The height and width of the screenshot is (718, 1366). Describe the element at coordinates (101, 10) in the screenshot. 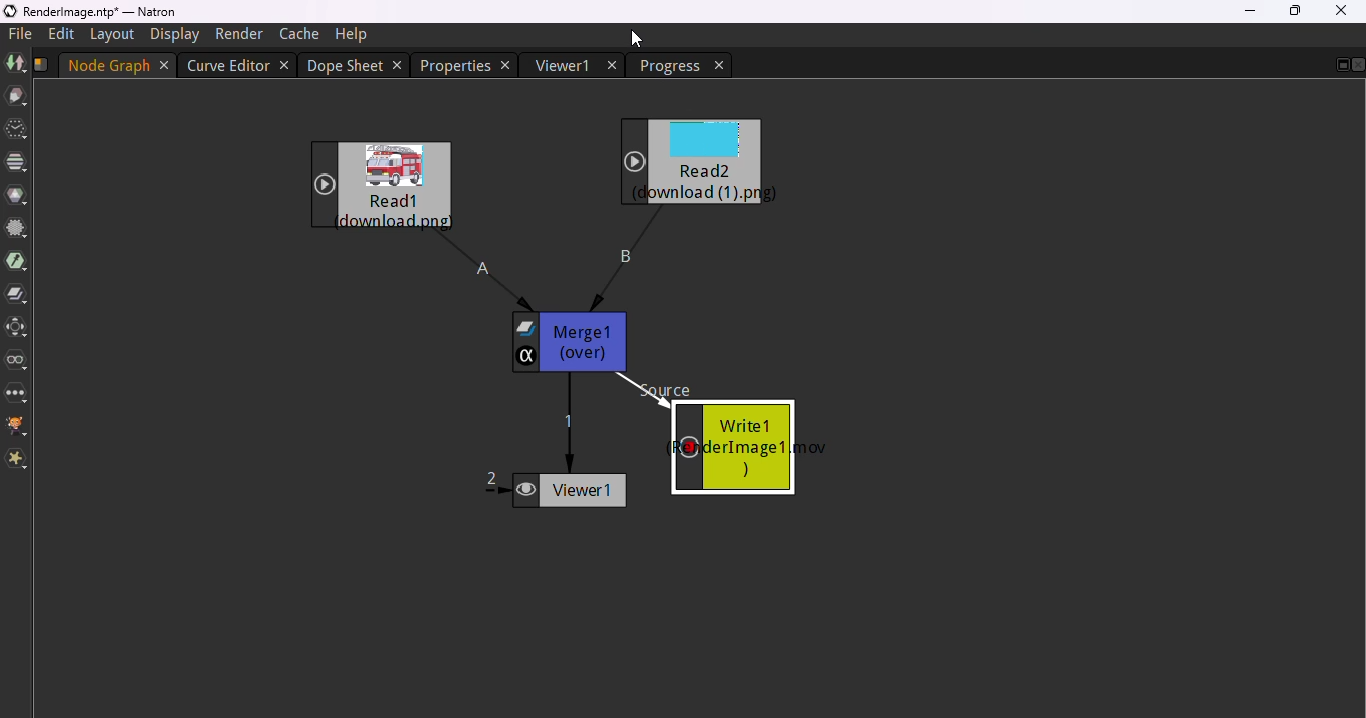

I see `title` at that location.